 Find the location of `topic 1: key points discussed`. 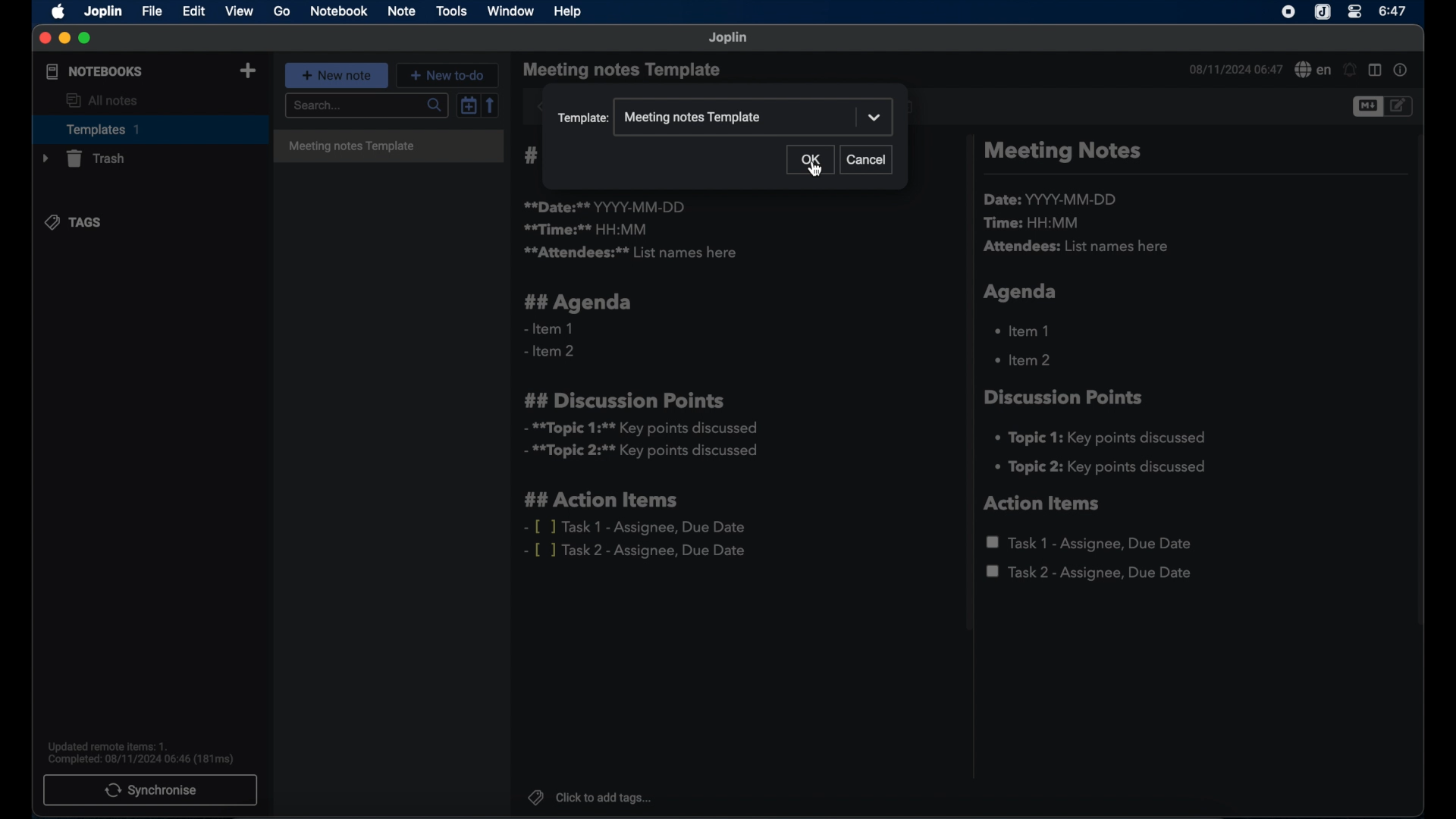

topic 1: key points discussed is located at coordinates (1106, 438).